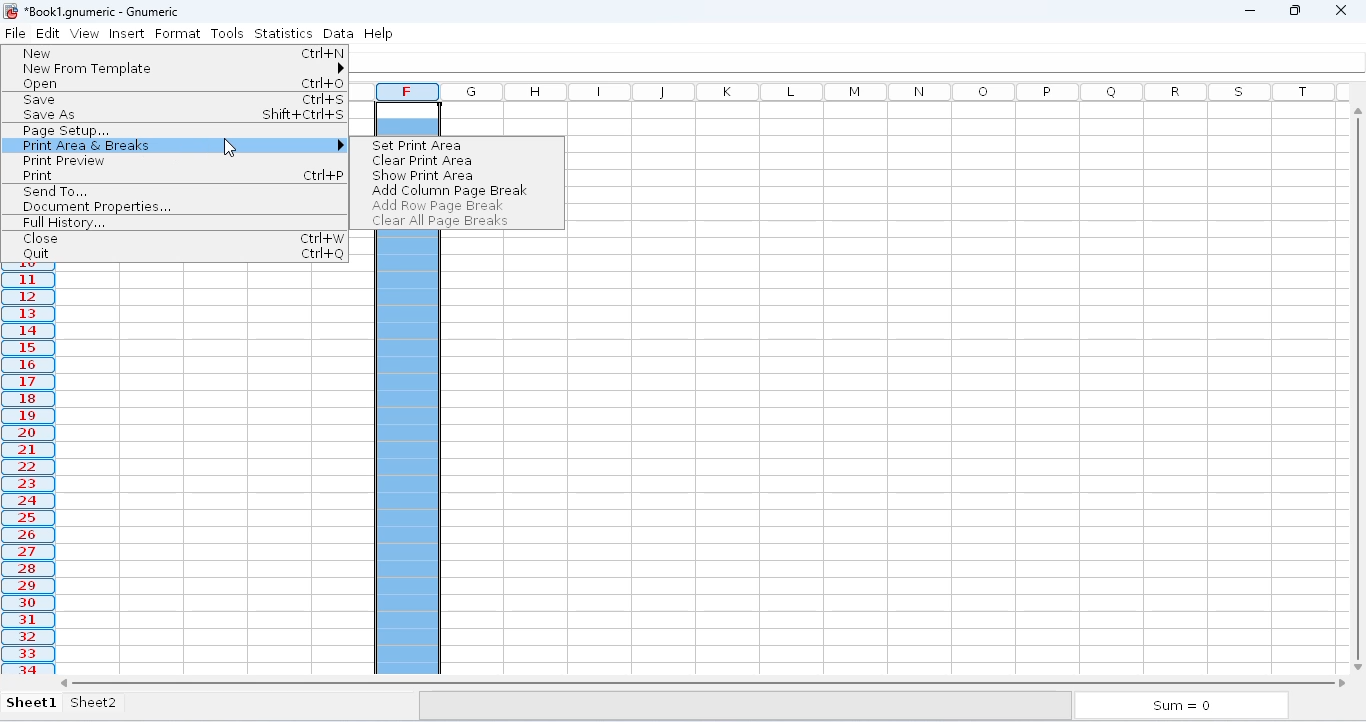  Describe the element at coordinates (379, 32) in the screenshot. I see `help` at that location.